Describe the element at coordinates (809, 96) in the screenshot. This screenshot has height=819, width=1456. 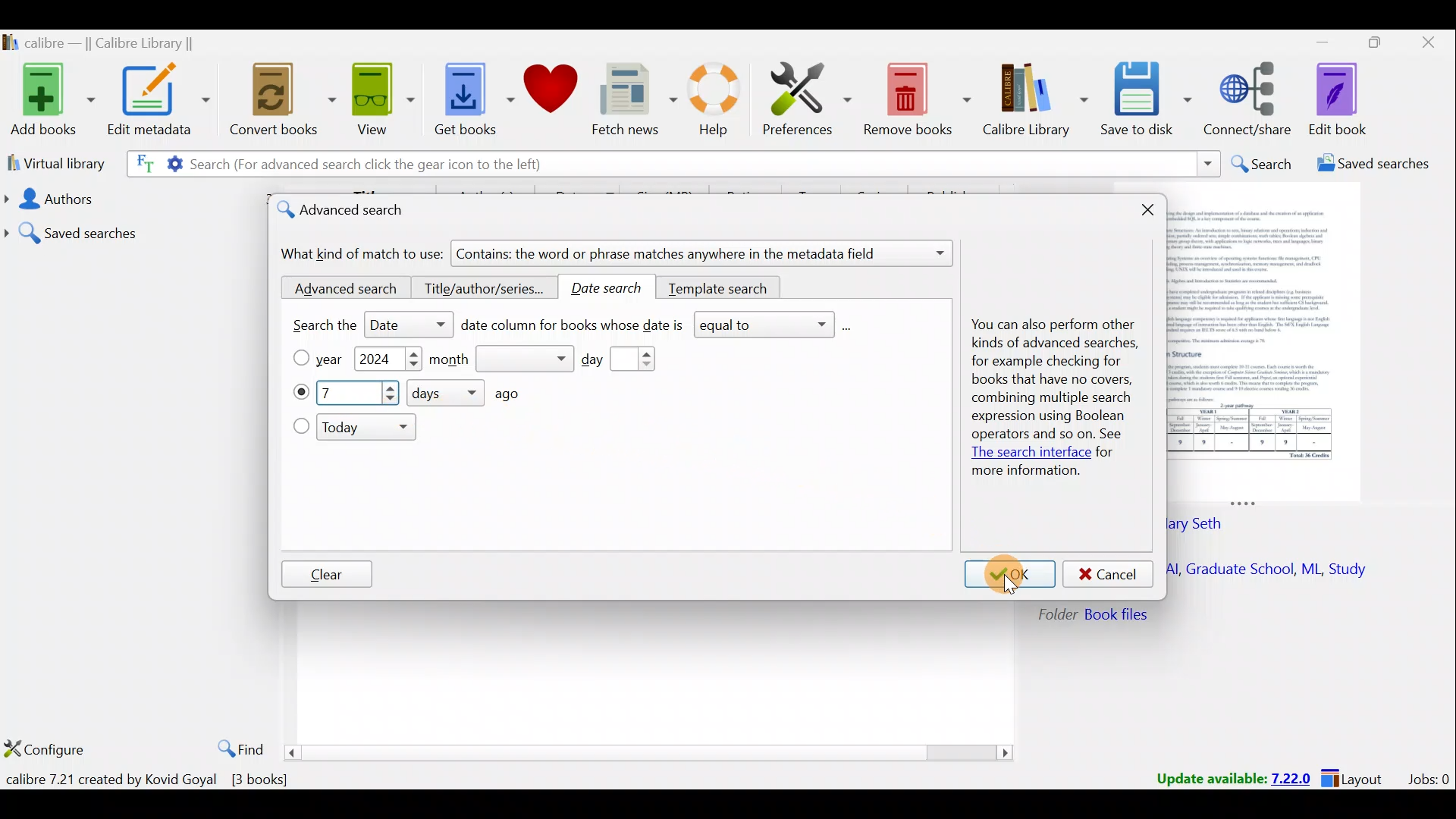
I see `Preferences` at that location.